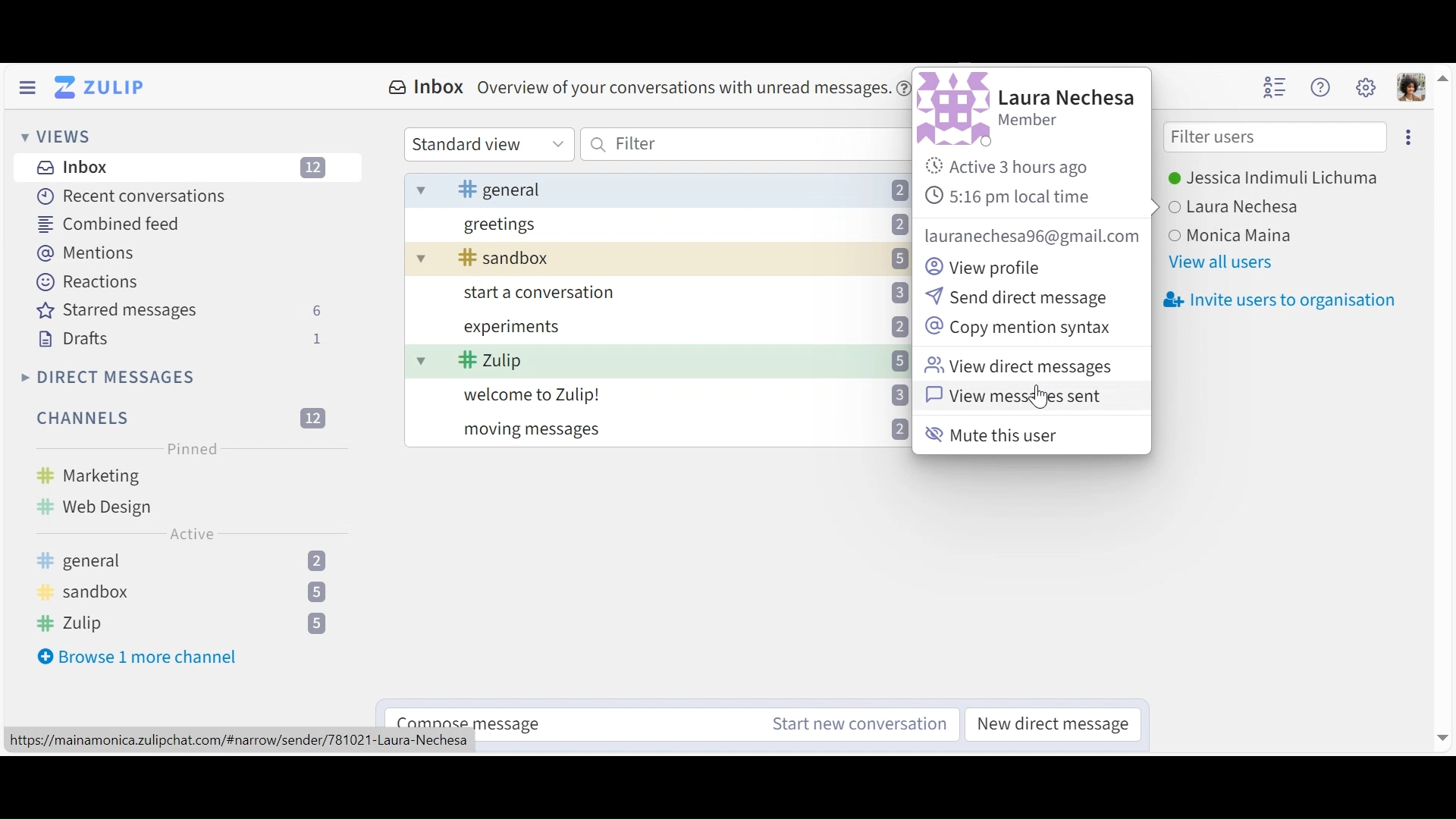  Describe the element at coordinates (856, 723) in the screenshot. I see `Start new conversations` at that location.